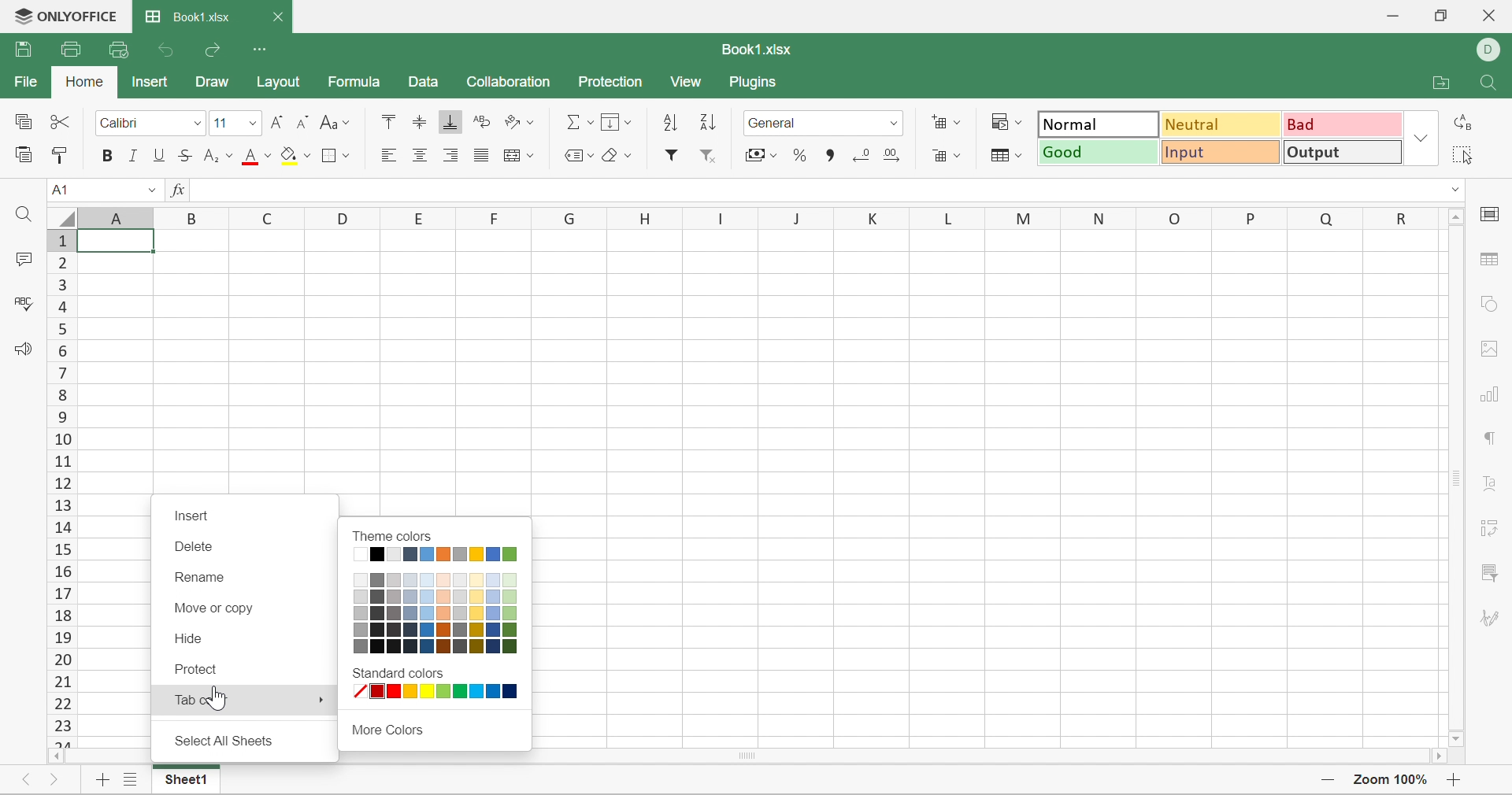  Describe the element at coordinates (27, 307) in the screenshot. I see `Check spelling` at that location.